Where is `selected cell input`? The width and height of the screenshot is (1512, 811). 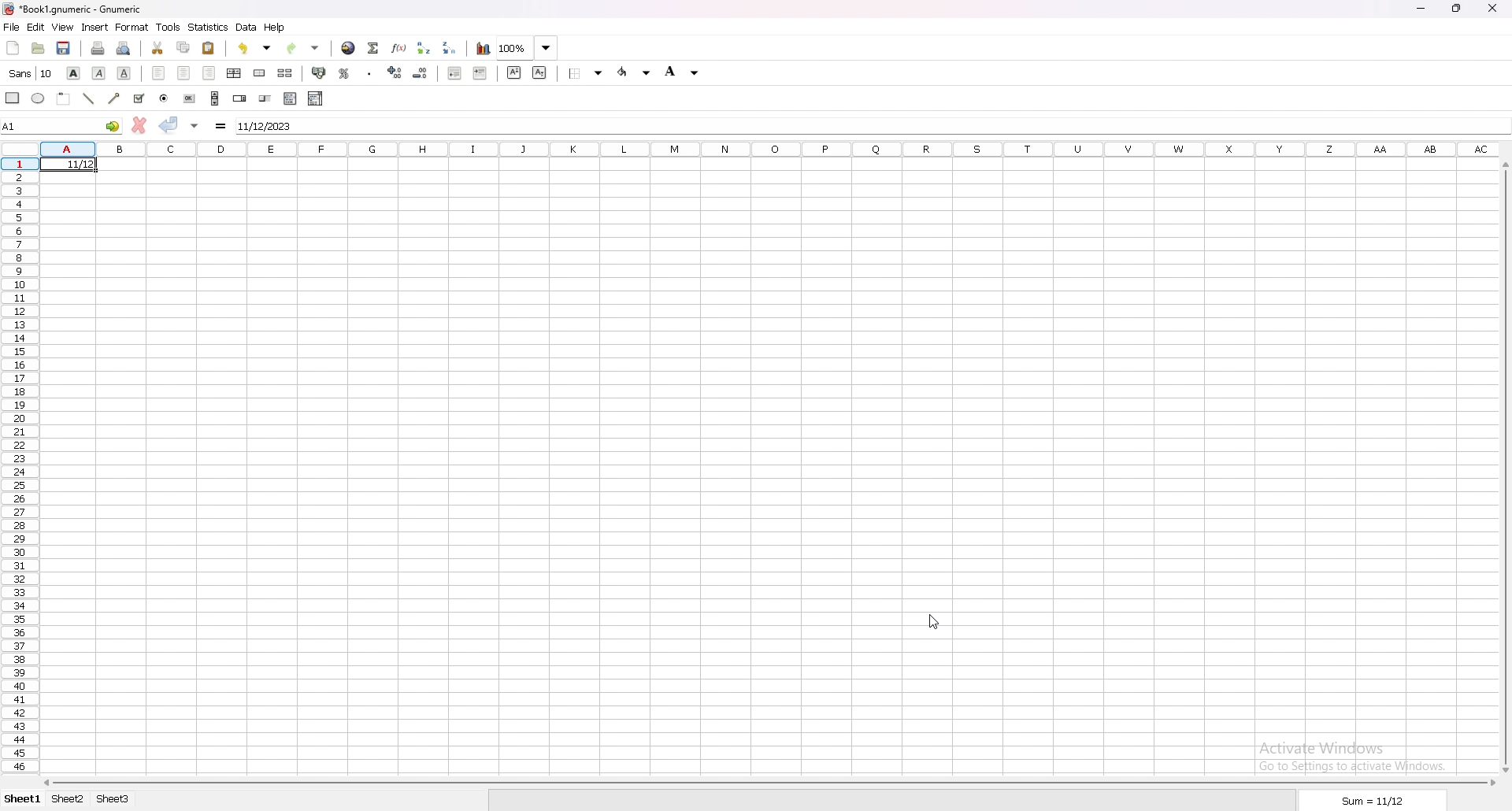
selected cell input is located at coordinates (871, 124).